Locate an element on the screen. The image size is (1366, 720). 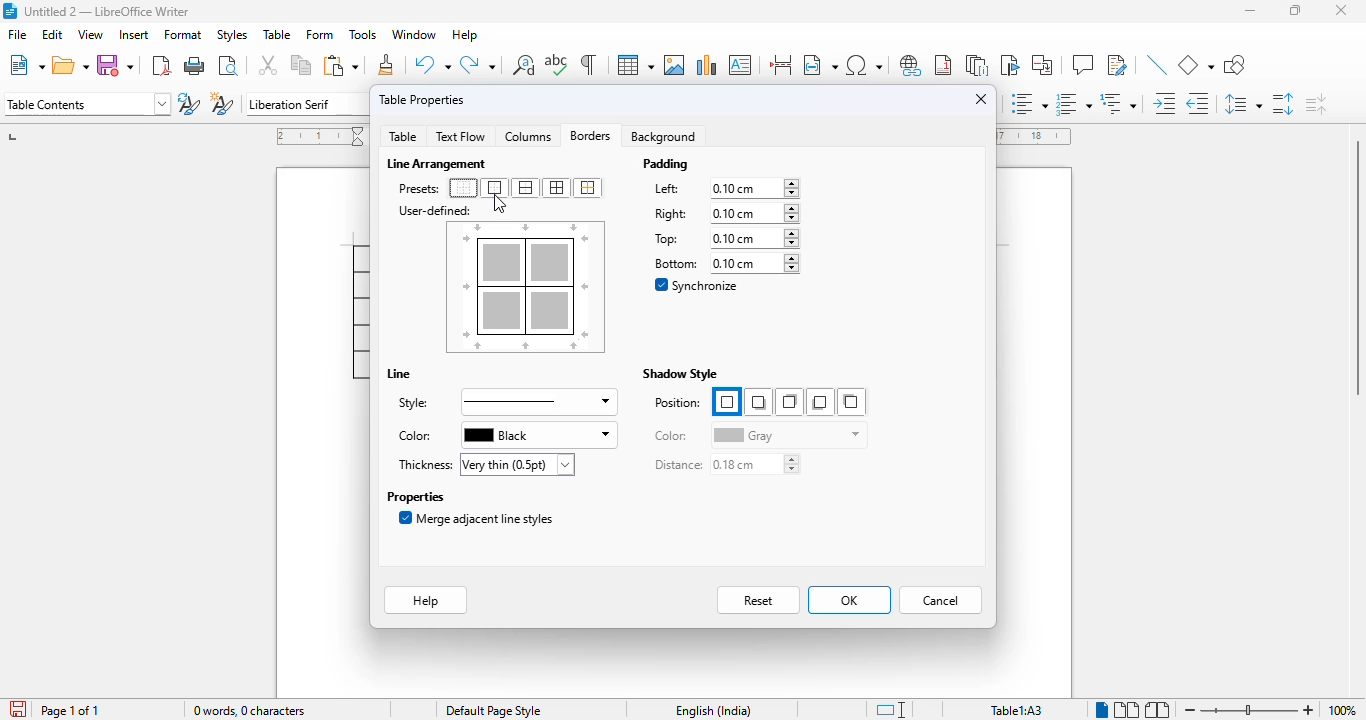
select outline format is located at coordinates (1118, 104).